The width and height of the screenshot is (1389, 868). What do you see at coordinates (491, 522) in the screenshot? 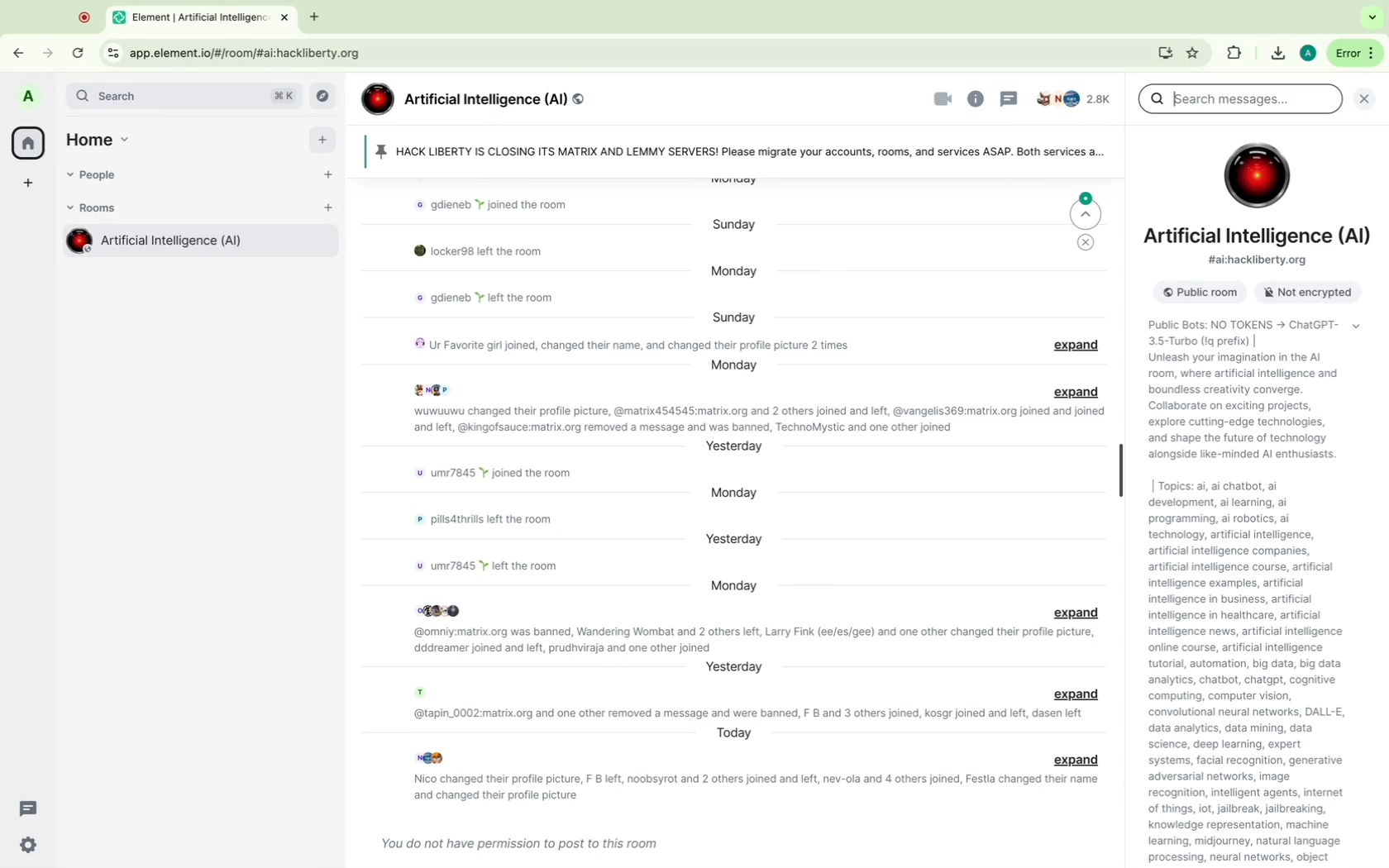
I see `message` at bounding box center [491, 522].